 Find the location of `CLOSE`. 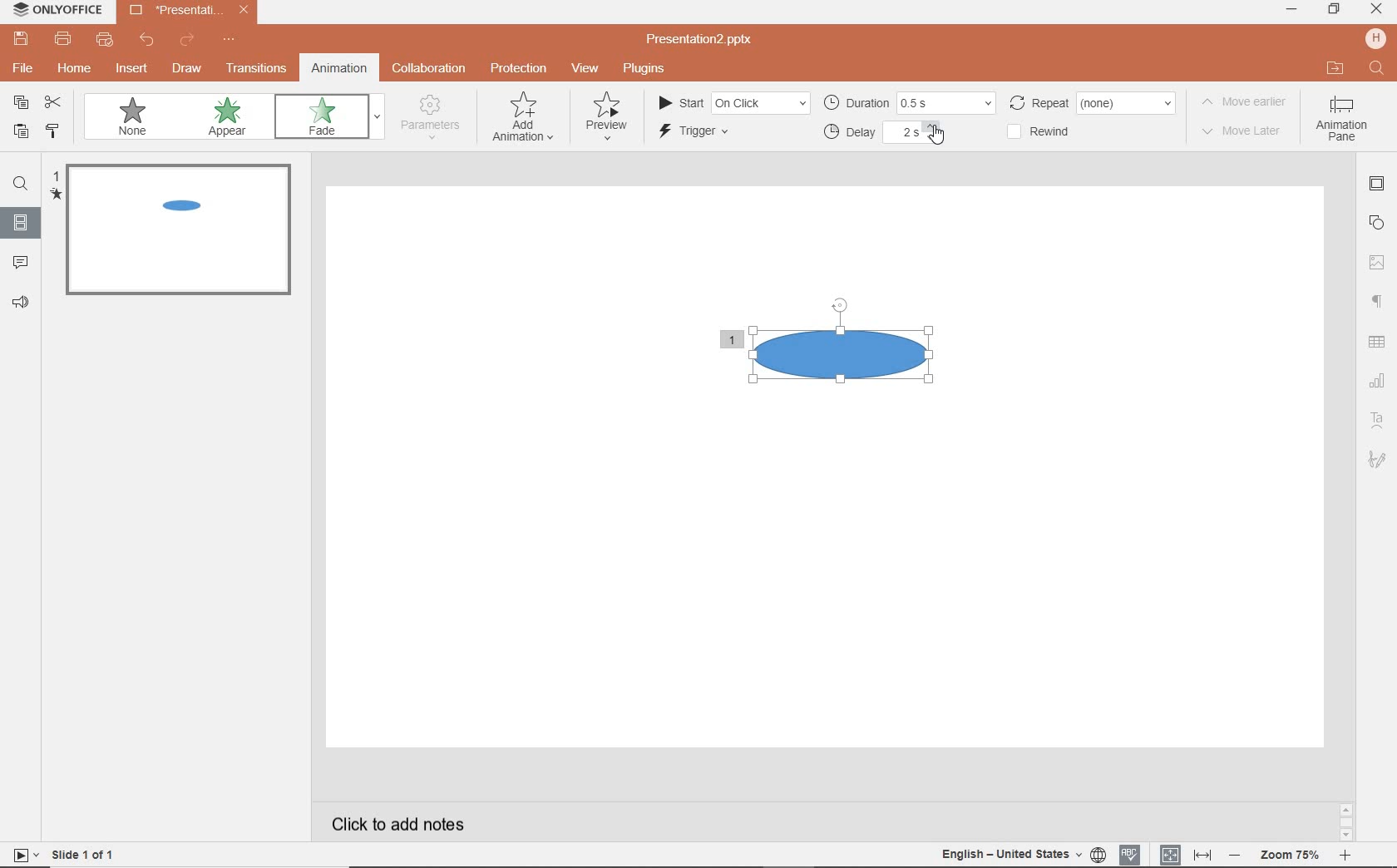

CLOSE is located at coordinates (1375, 10).